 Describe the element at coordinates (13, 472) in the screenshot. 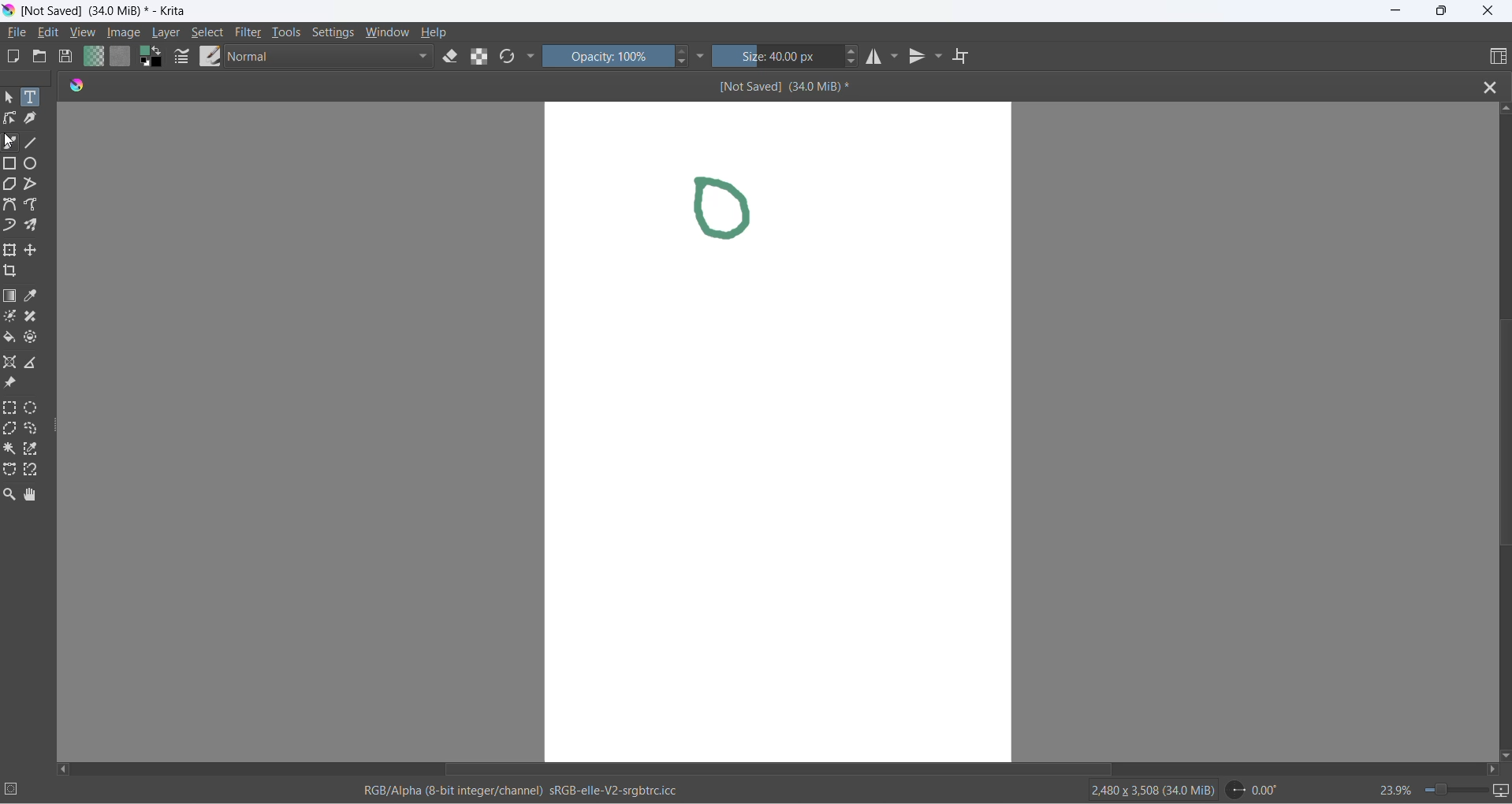

I see `Bezier curve selection tool ` at that location.